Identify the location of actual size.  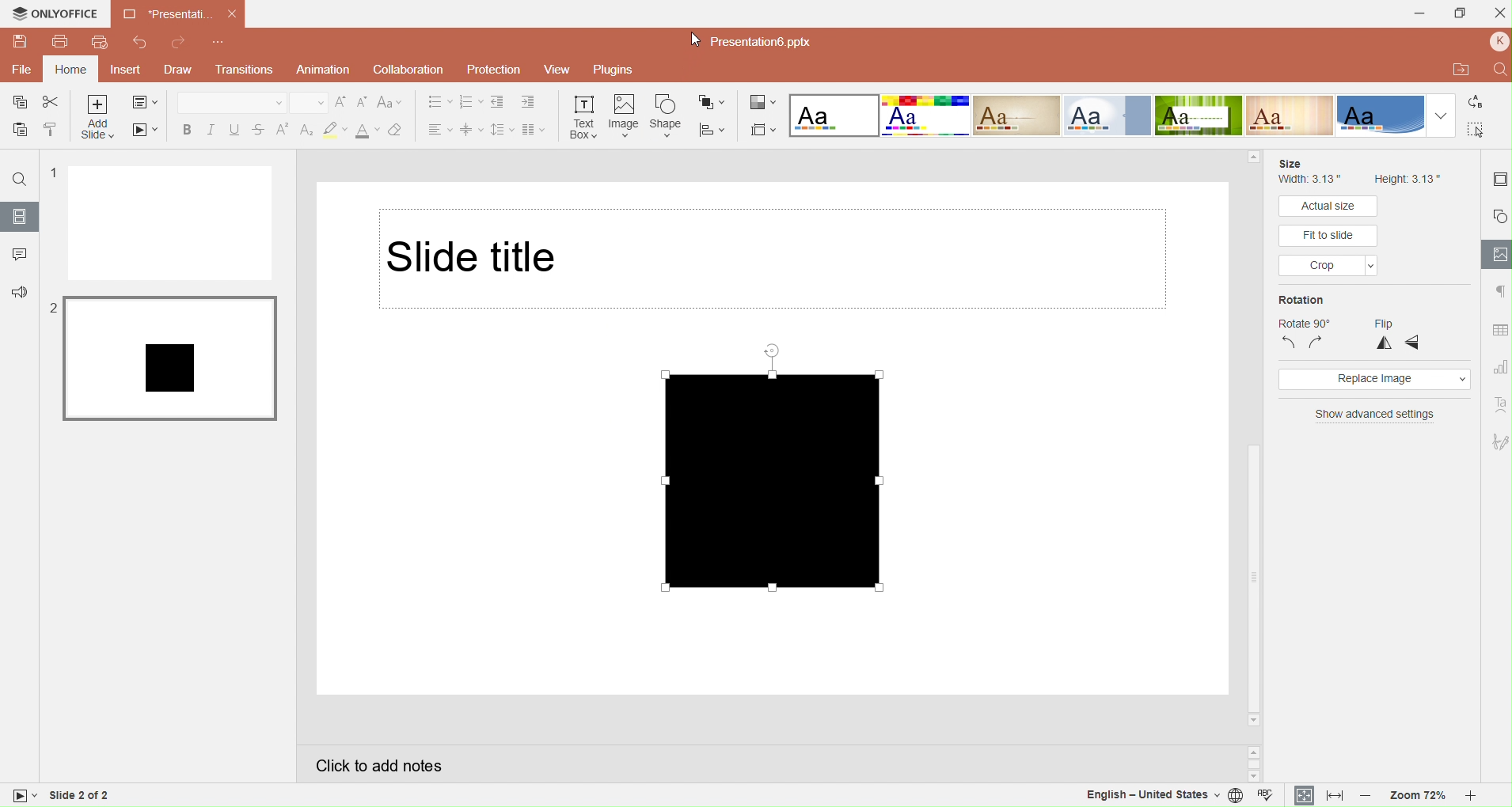
(1328, 207).